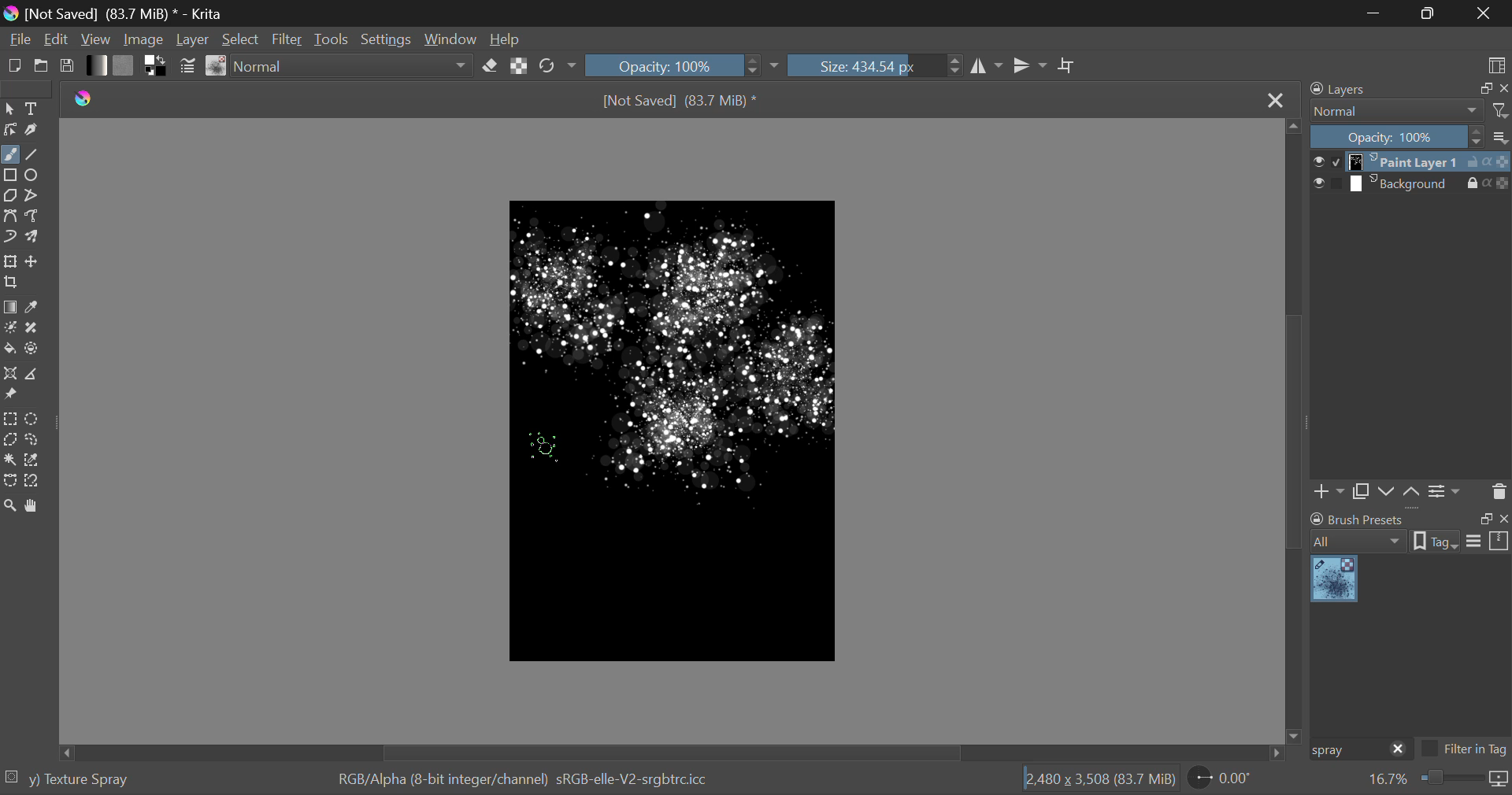 The width and height of the screenshot is (1512, 795). What do you see at coordinates (1483, 519) in the screenshot?
I see `restore` at bounding box center [1483, 519].